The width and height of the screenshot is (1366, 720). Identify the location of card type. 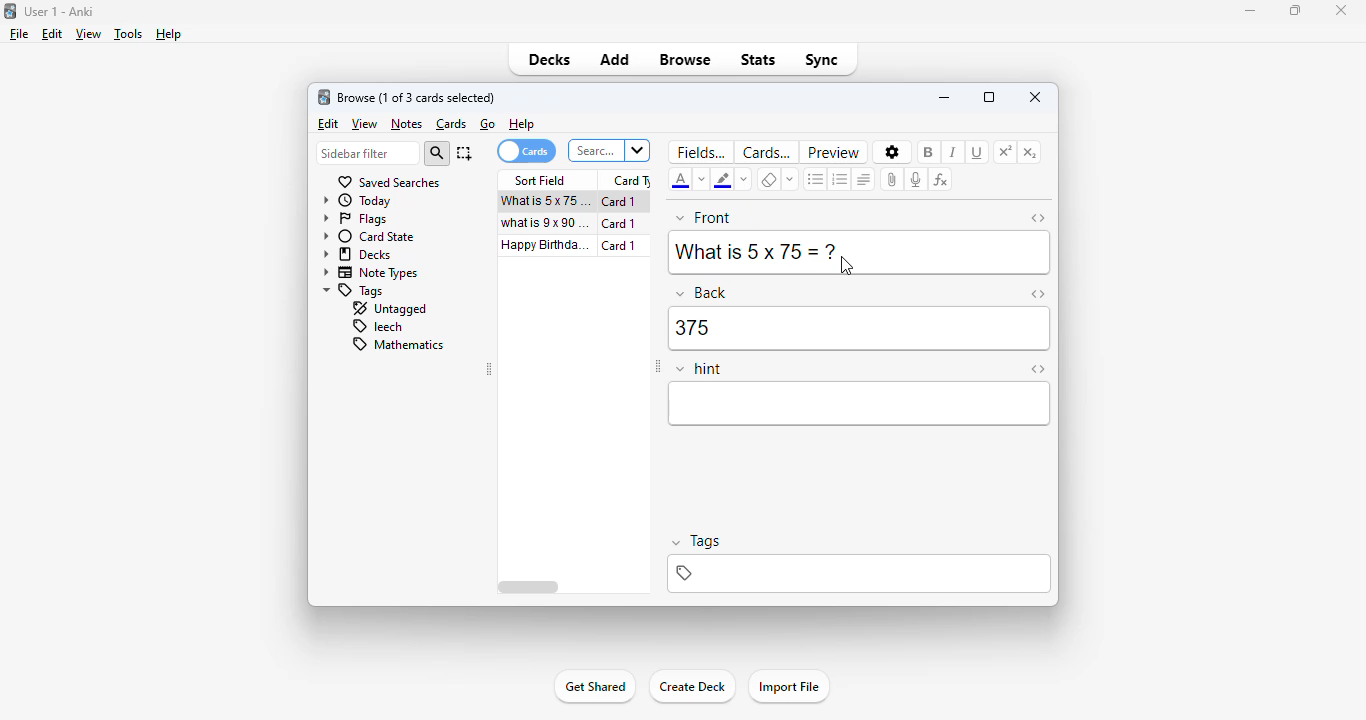
(630, 179).